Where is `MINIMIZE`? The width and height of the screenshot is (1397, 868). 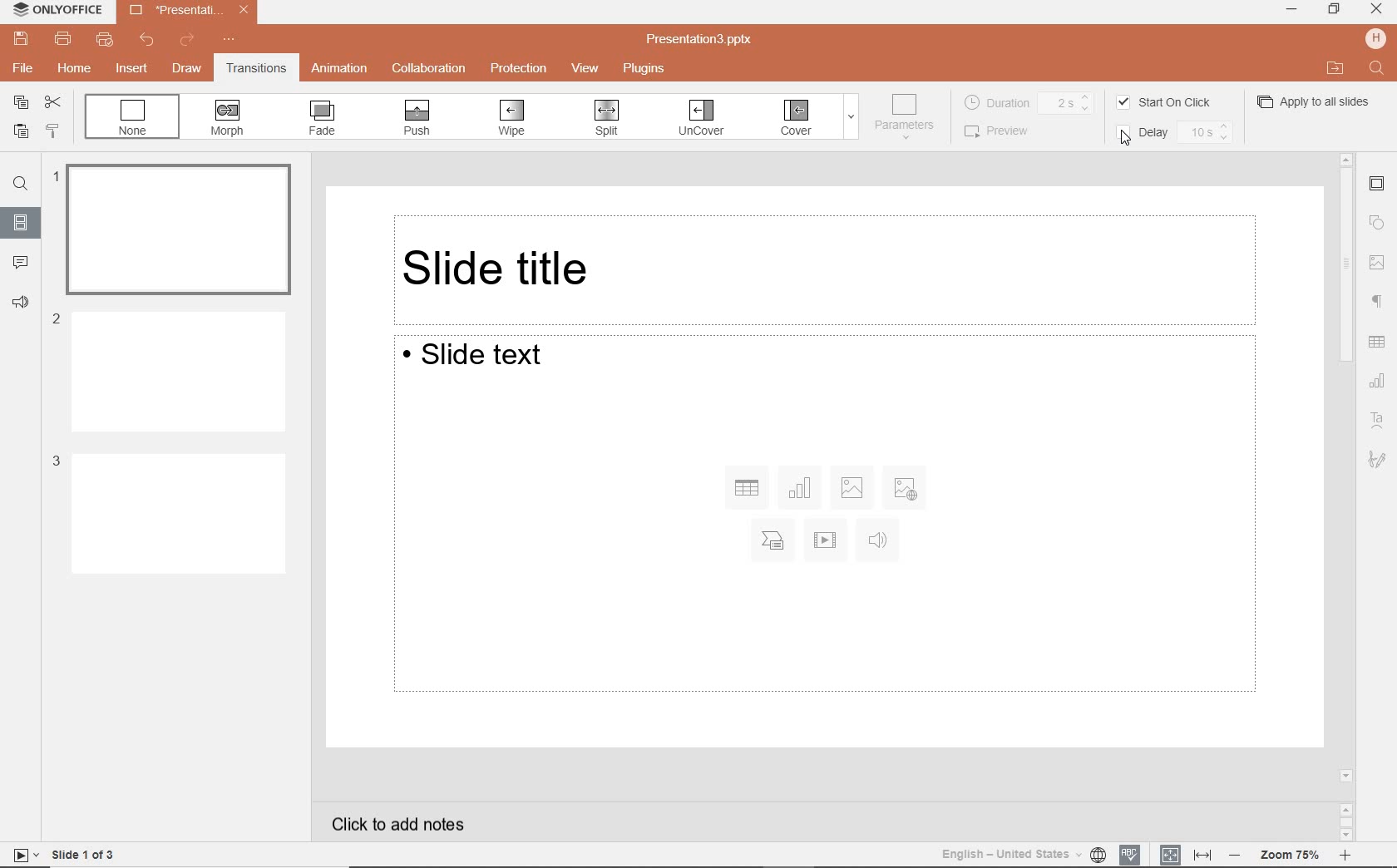
MINIMIZE is located at coordinates (1292, 8).